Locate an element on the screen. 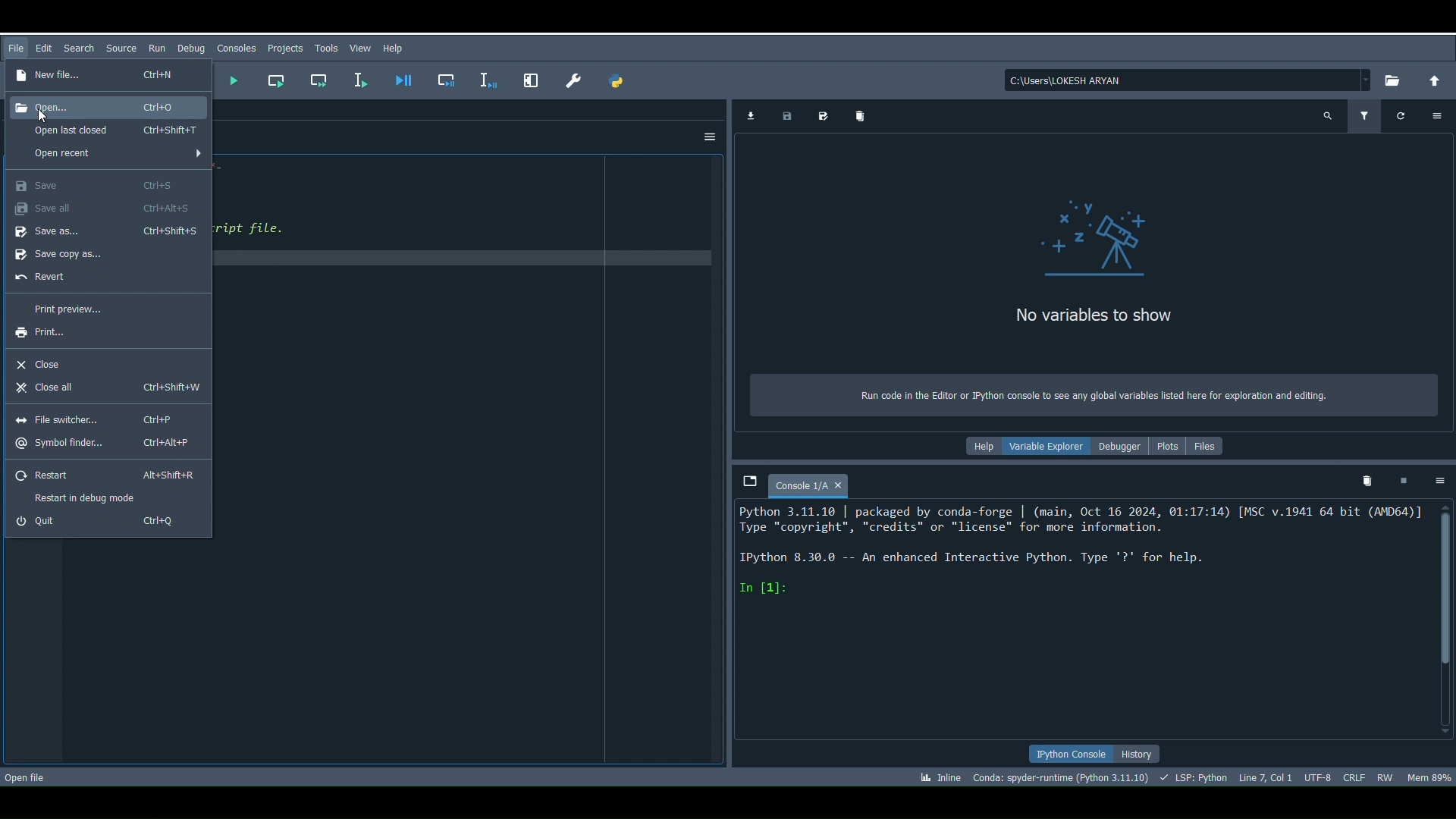  Variable explorer is located at coordinates (1040, 445).